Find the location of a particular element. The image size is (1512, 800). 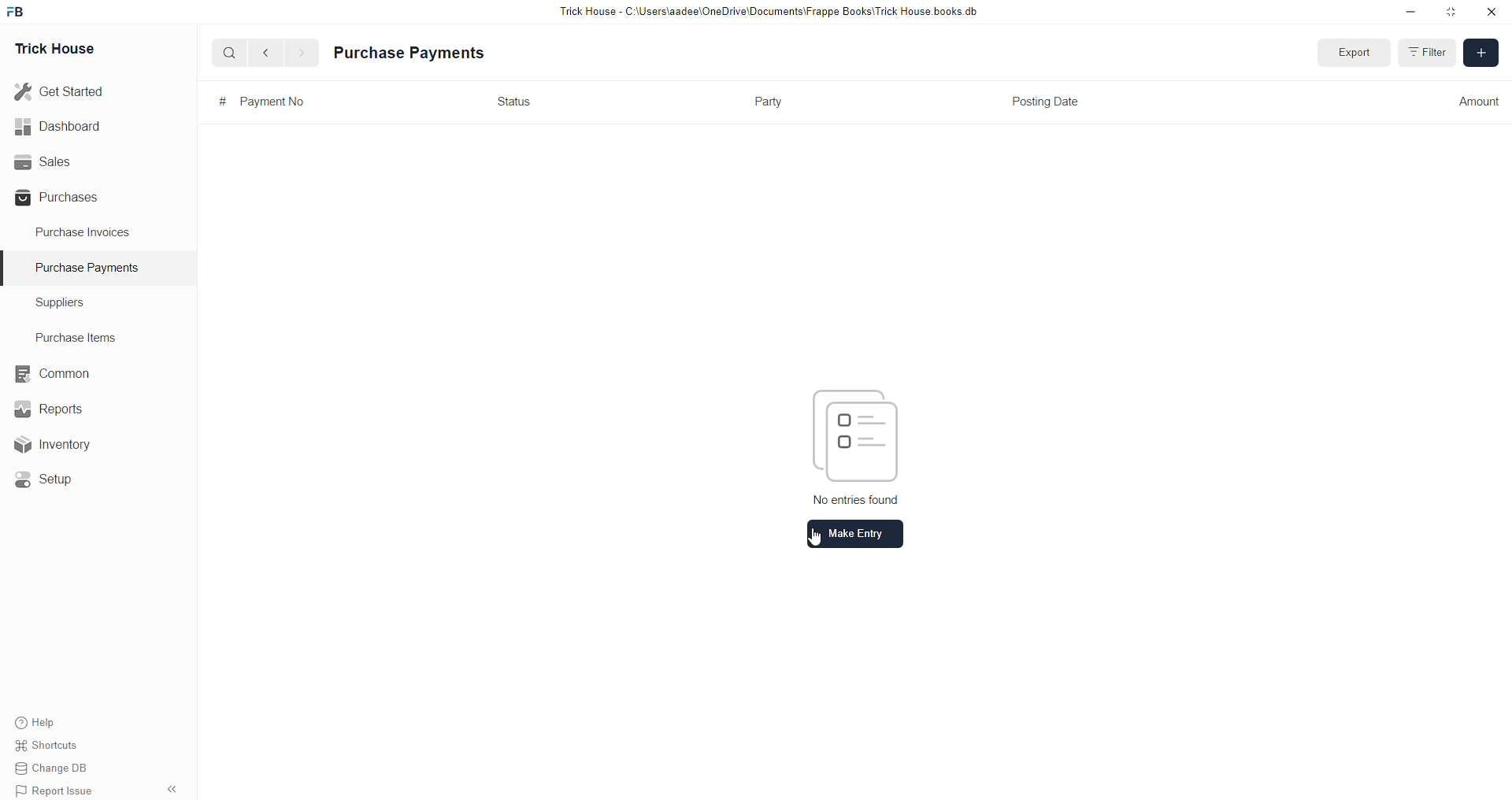

minimise window is located at coordinates (1450, 13).